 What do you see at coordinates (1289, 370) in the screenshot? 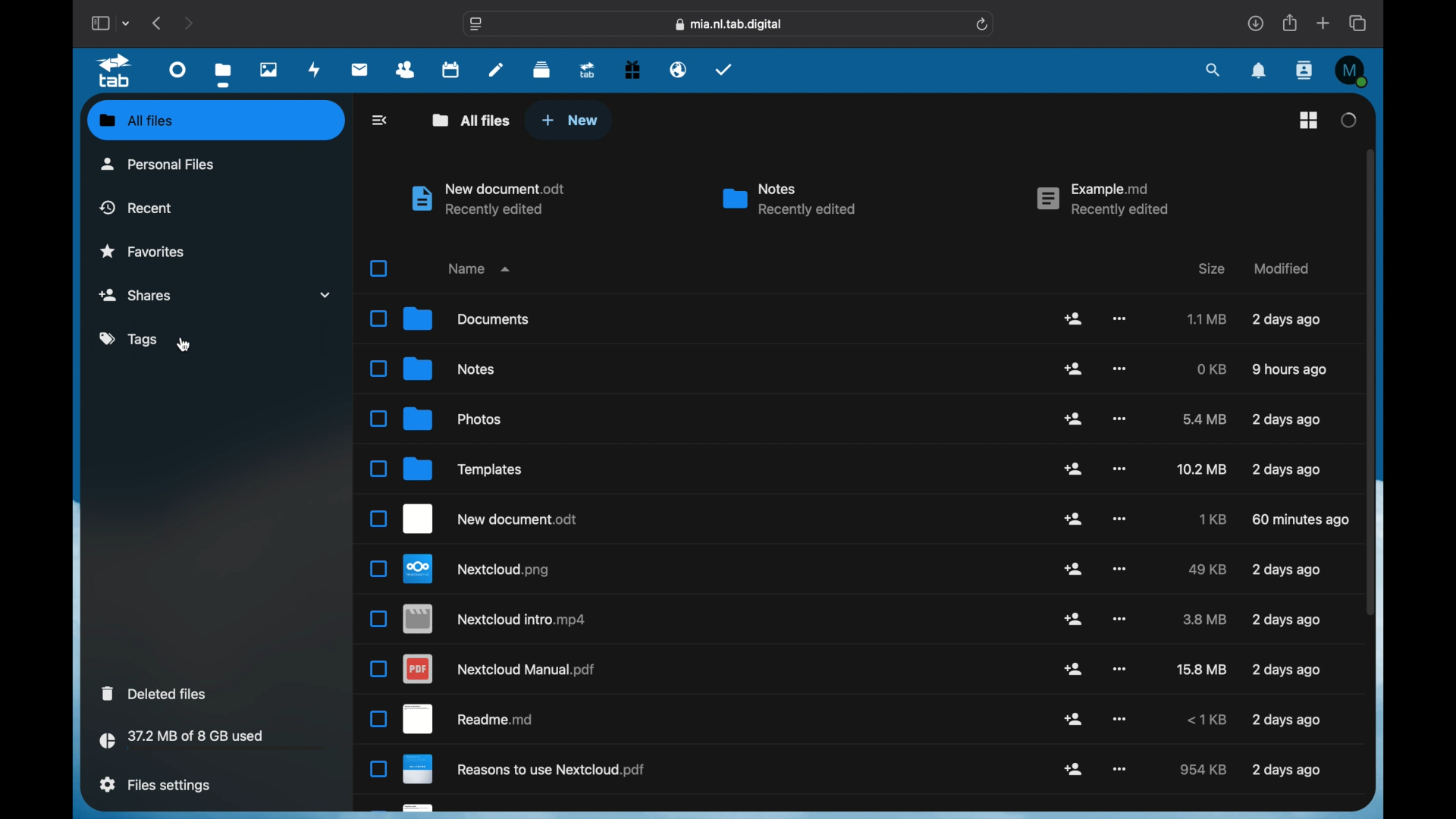
I see `modified` at bounding box center [1289, 370].